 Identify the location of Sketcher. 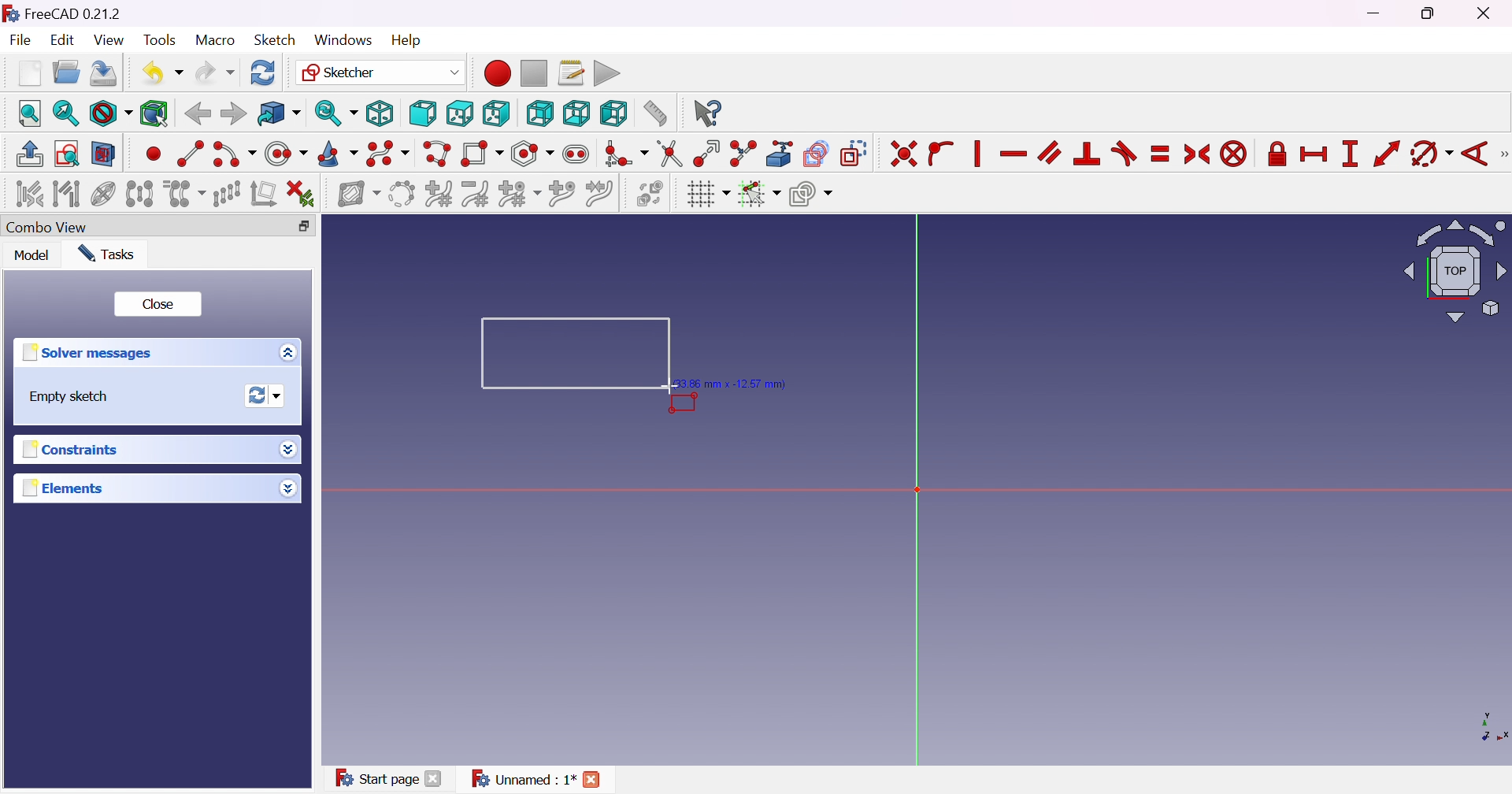
(380, 72).